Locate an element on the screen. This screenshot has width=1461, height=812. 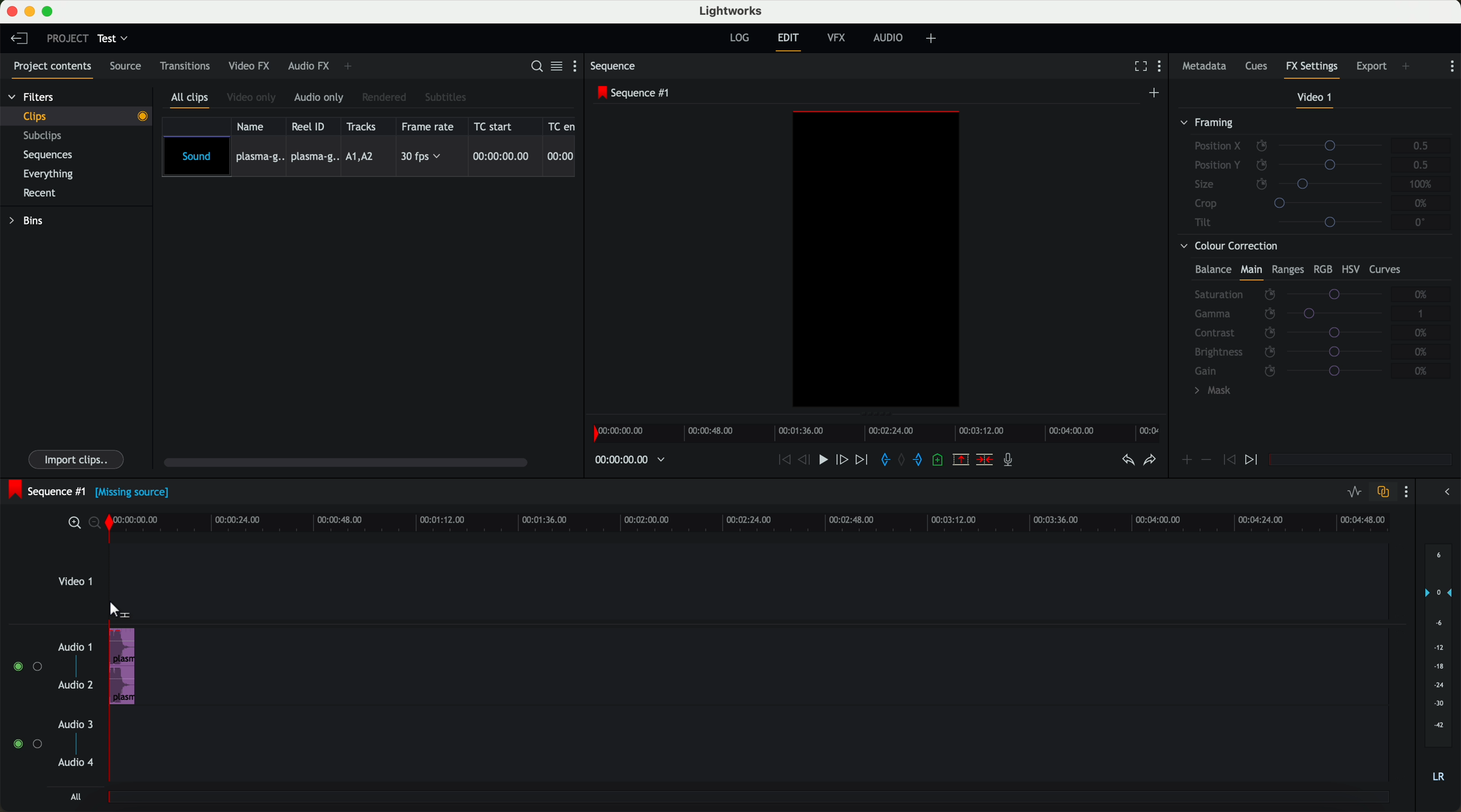
redo is located at coordinates (1148, 462).